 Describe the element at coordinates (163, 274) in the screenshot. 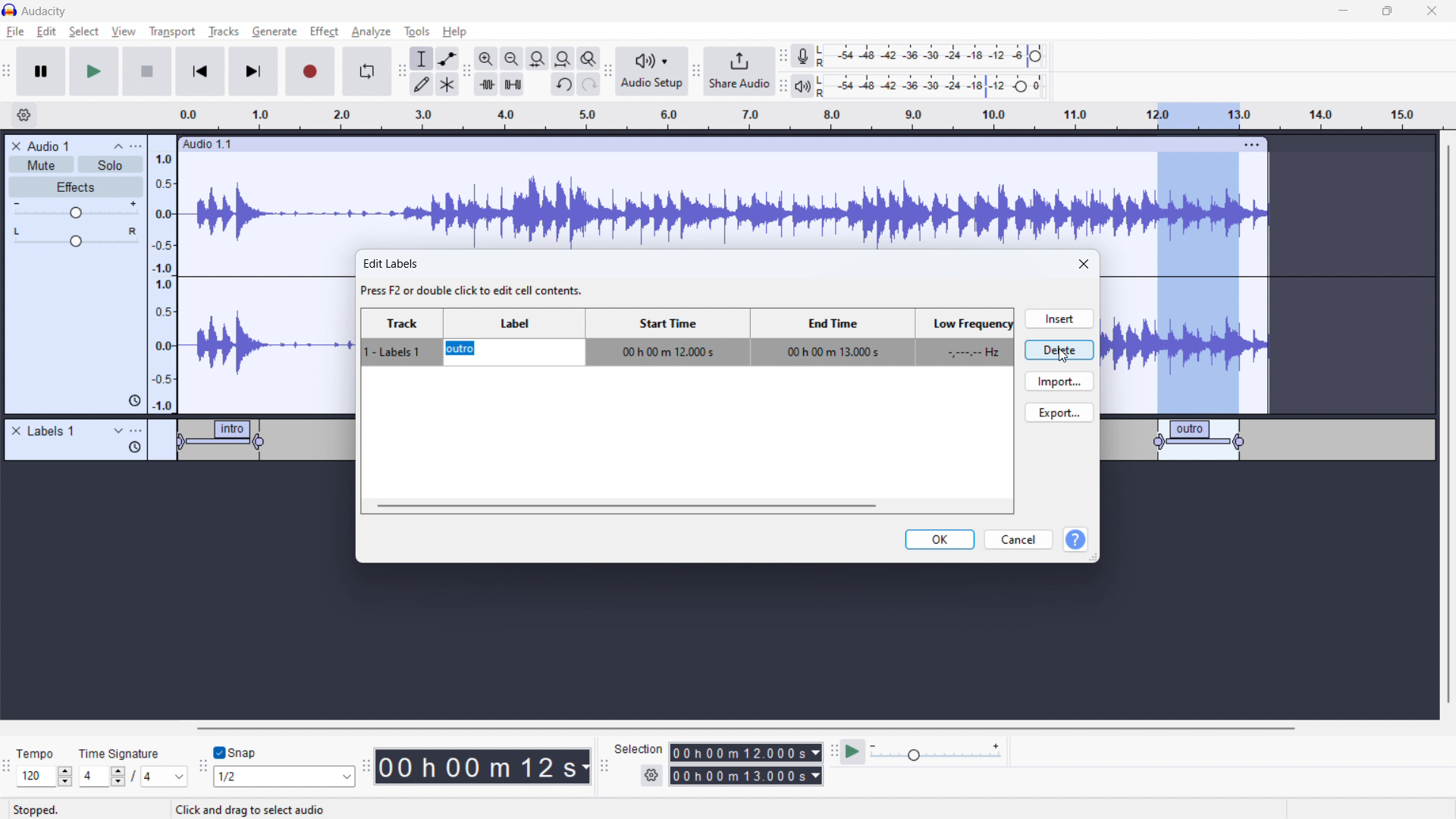

I see `amplitude` at that location.